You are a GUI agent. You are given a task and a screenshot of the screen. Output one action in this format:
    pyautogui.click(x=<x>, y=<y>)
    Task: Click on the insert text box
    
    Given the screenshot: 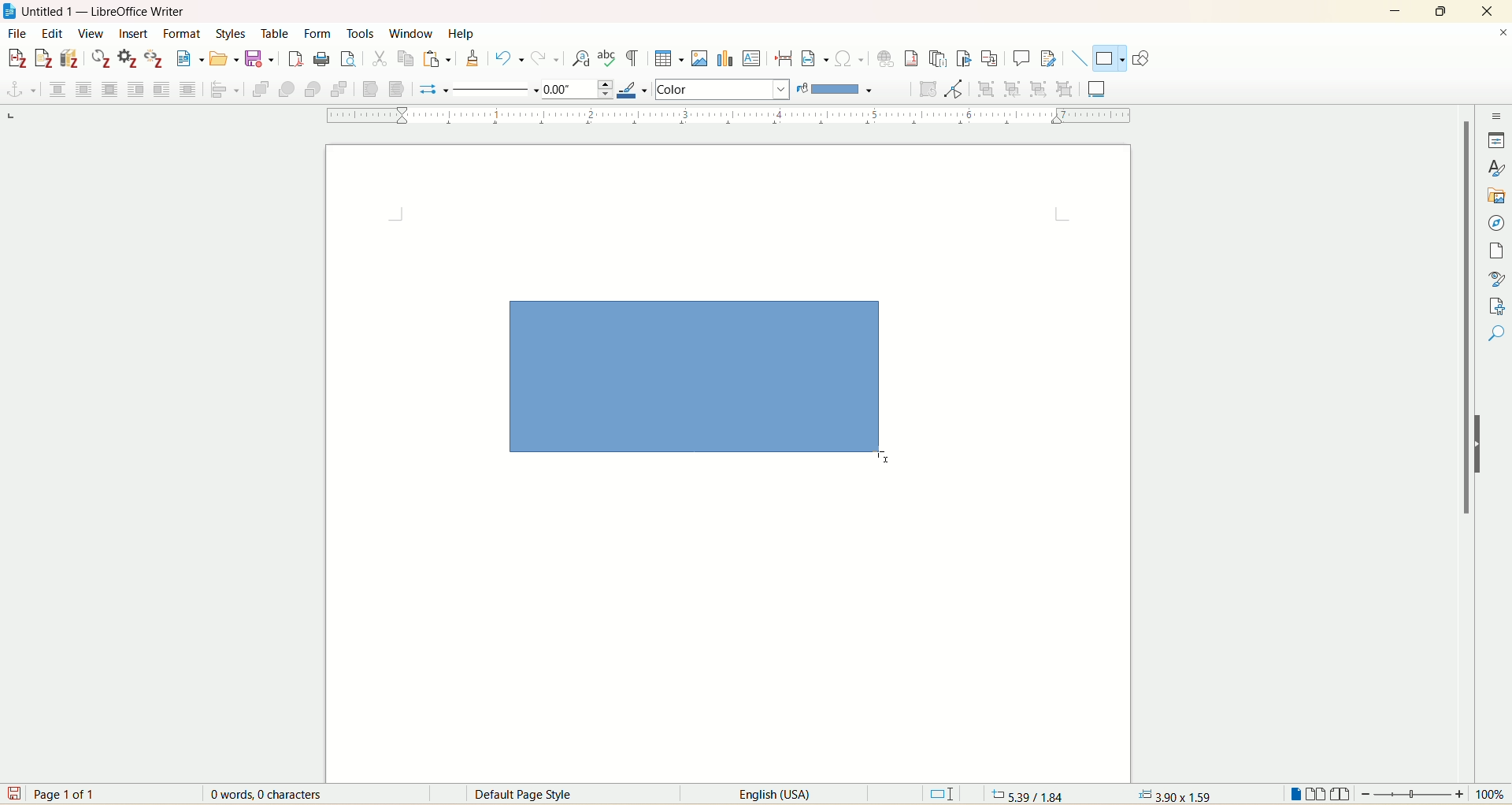 What is the action you would take?
    pyautogui.click(x=752, y=57)
    